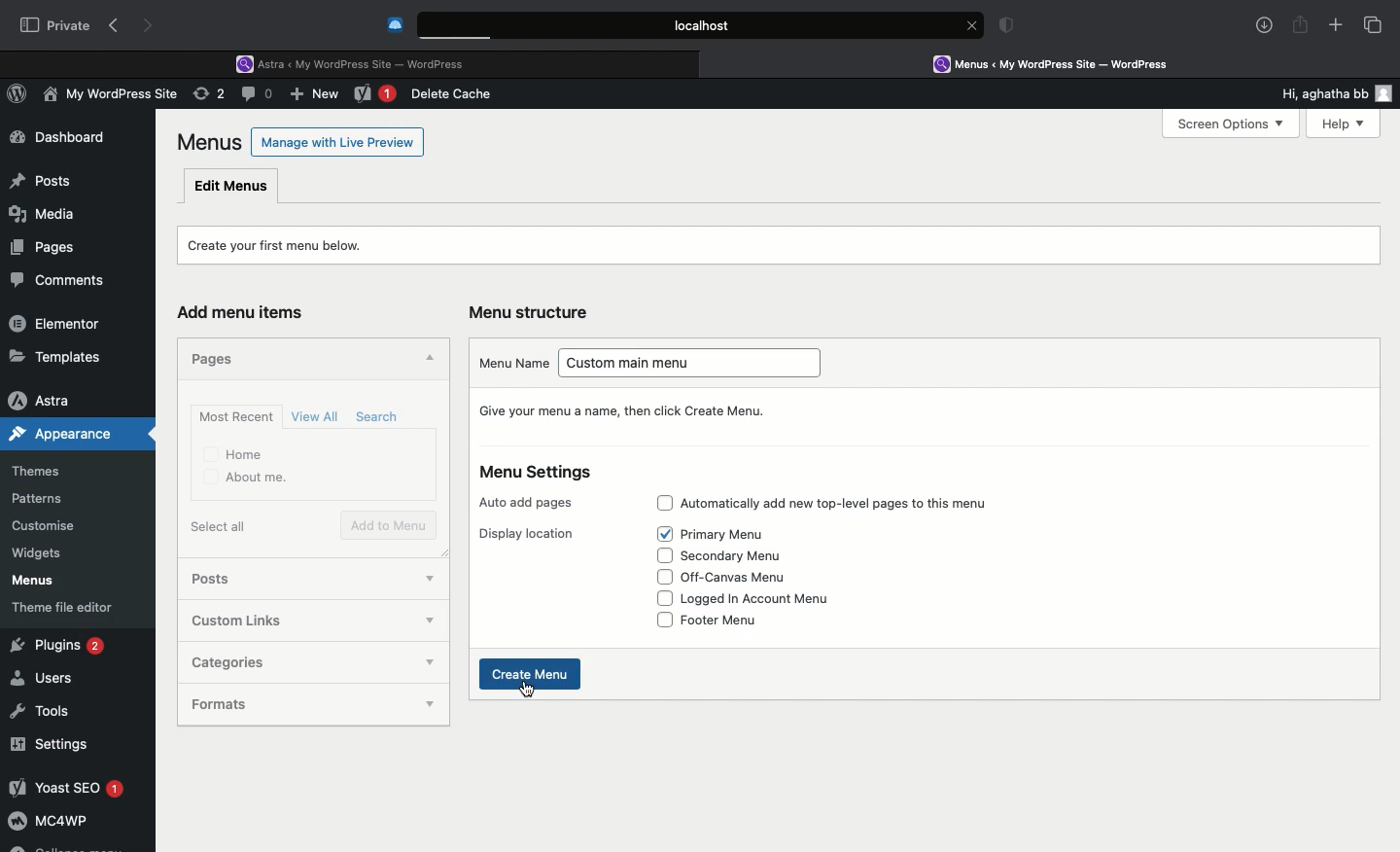 The height and width of the screenshot is (852, 1400). Describe the element at coordinates (512, 362) in the screenshot. I see `Menu name` at that location.